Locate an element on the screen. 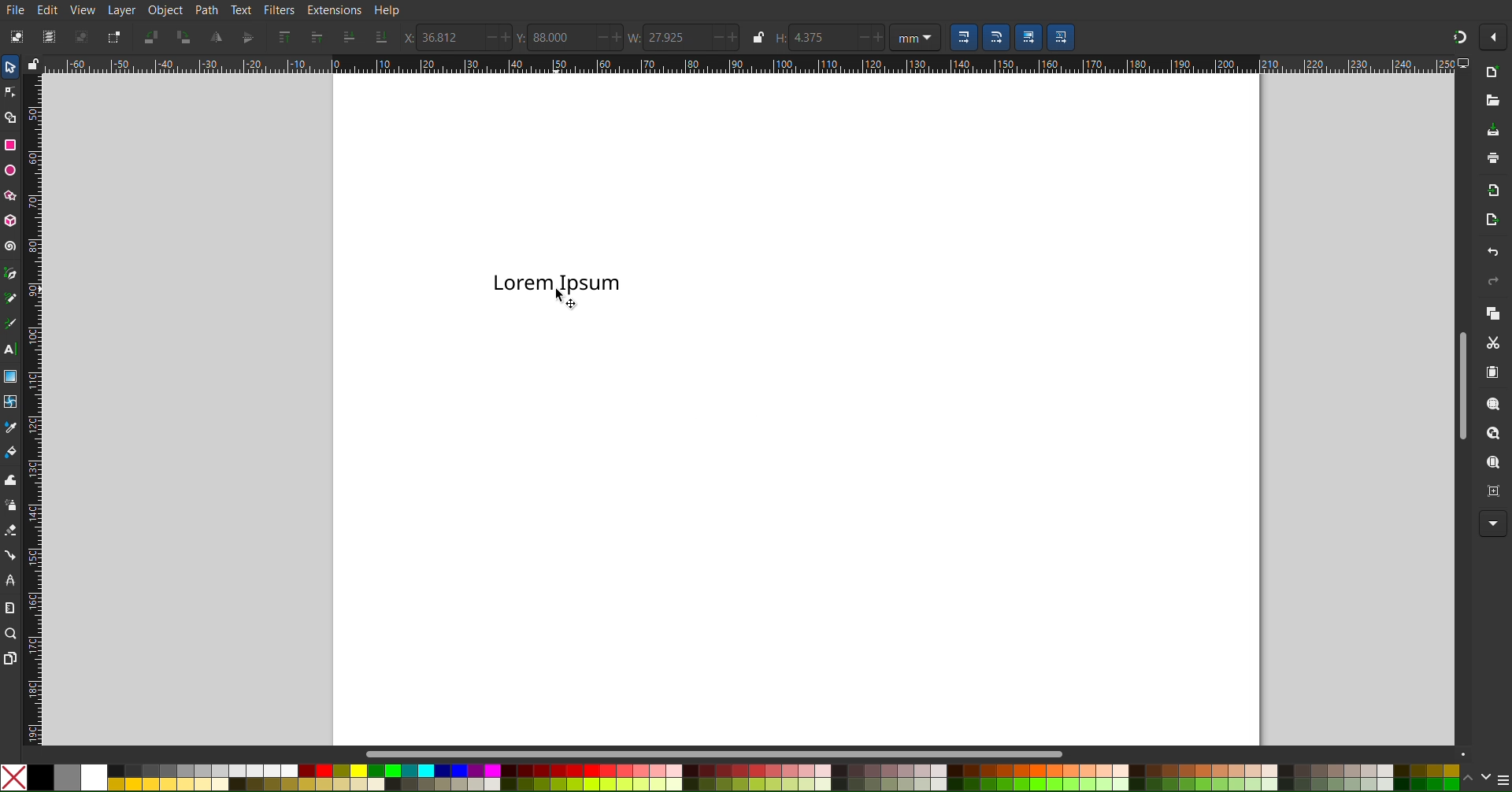 The image size is (1512, 792). Paste is located at coordinates (1492, 371).